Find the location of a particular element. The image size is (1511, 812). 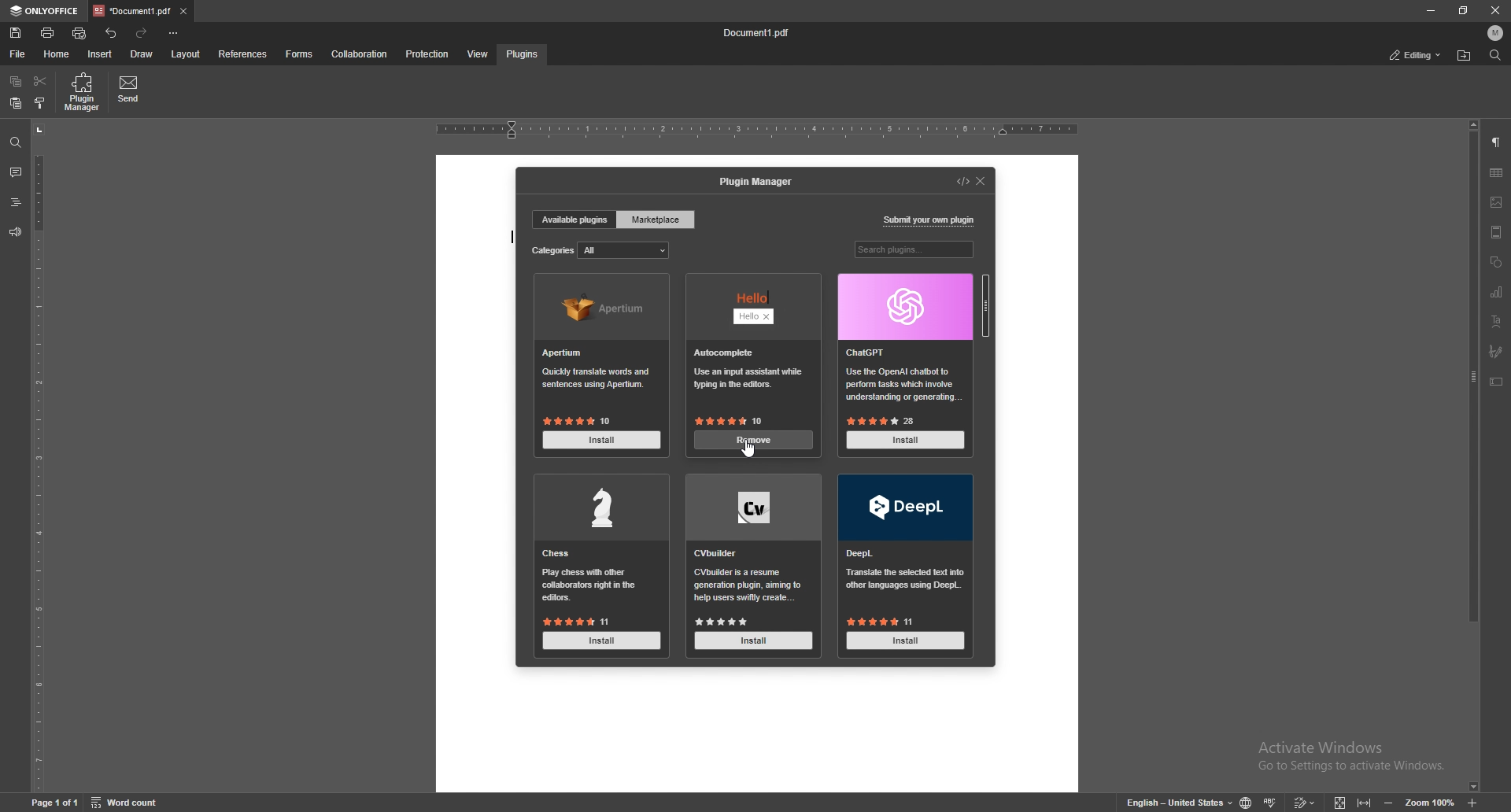

close tab is located at coordinates (184, 12).